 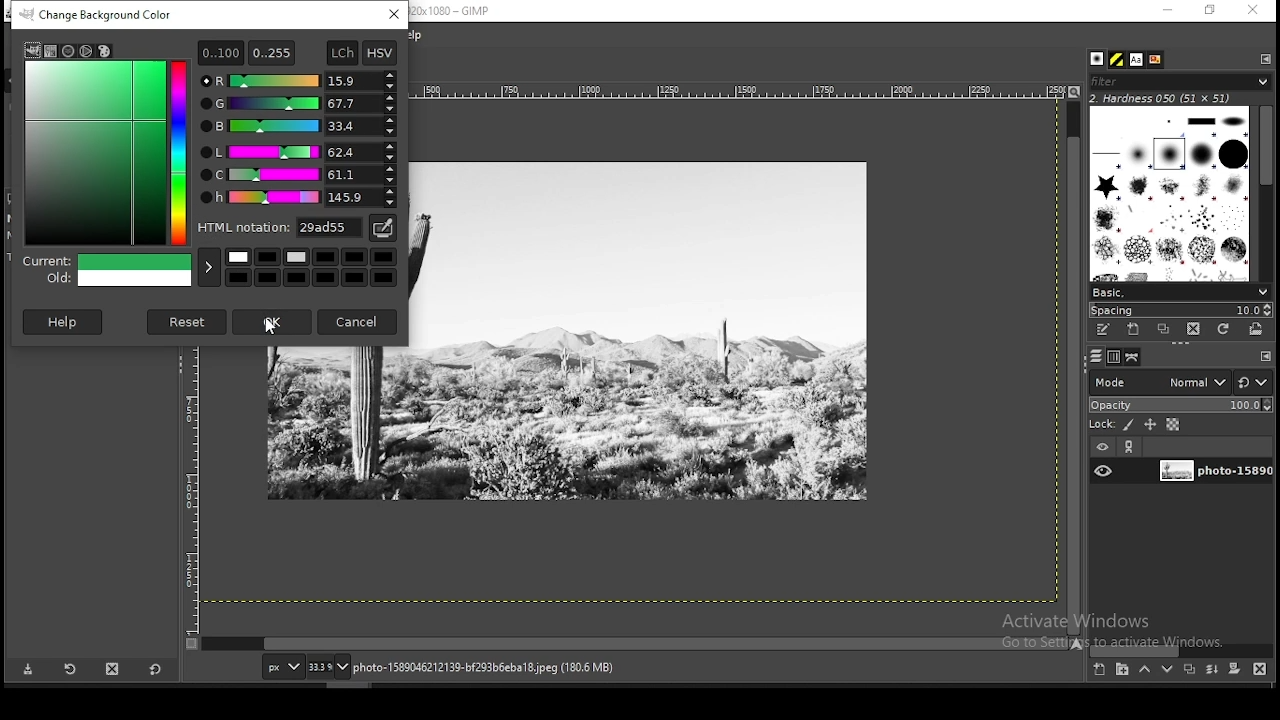 What do you see at coordinates (1156, 60) in the screenshot?
I see `document history` at bounding box center [1156, 60].